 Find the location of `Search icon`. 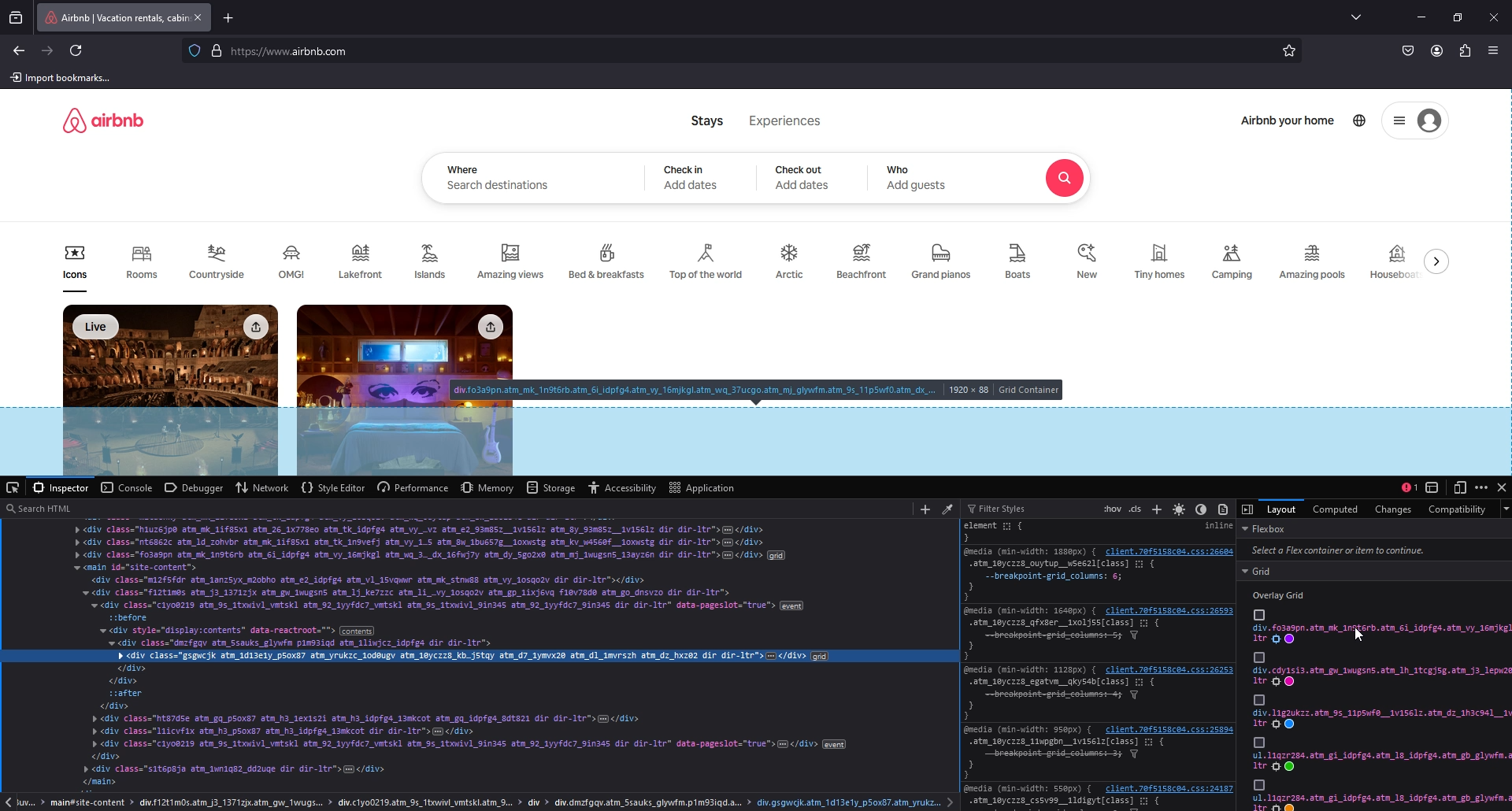

Search icon is located at coordinates (1065, 179).